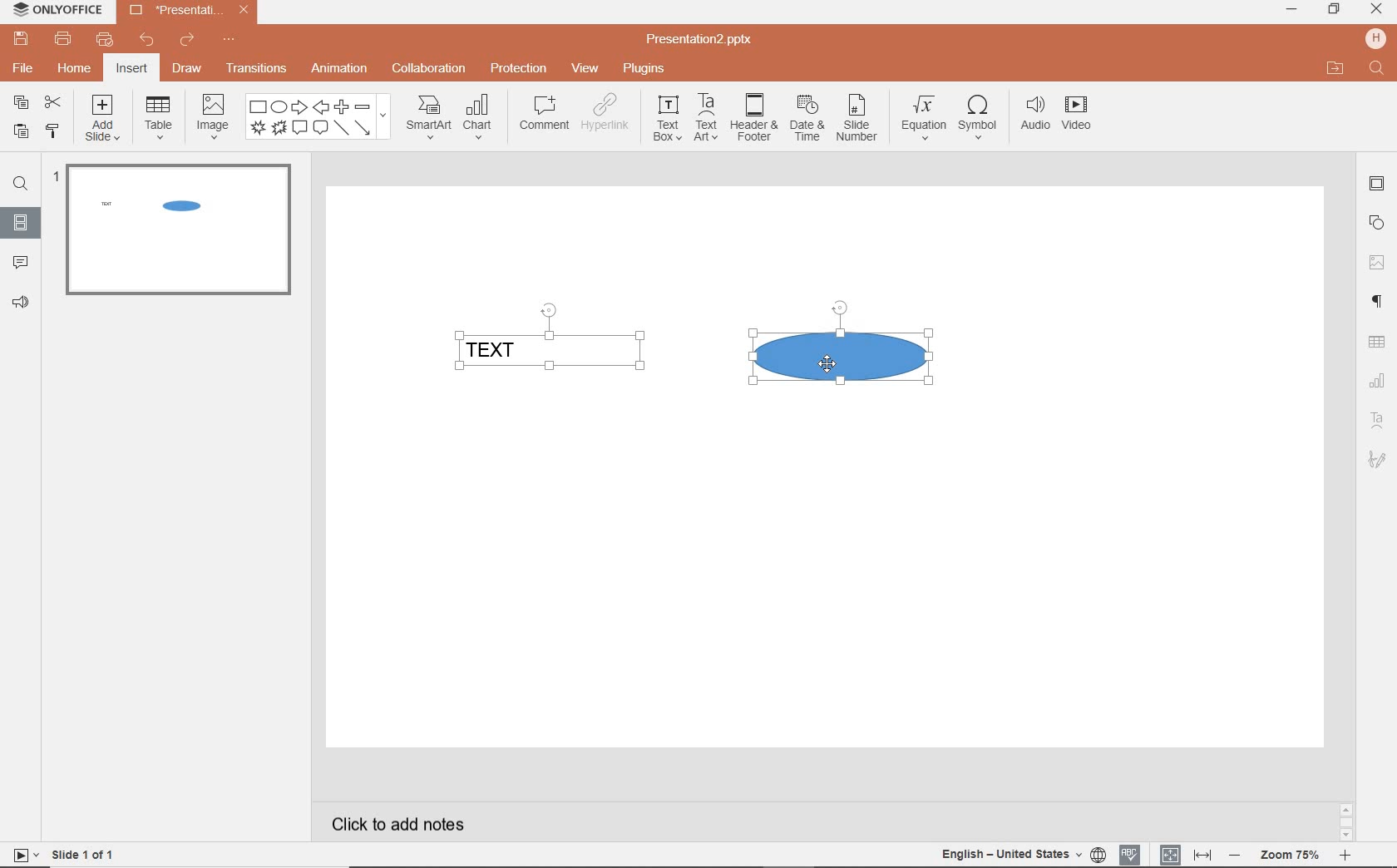  I want to click on TEXT FIELD SELECTED, so click(550, 340).